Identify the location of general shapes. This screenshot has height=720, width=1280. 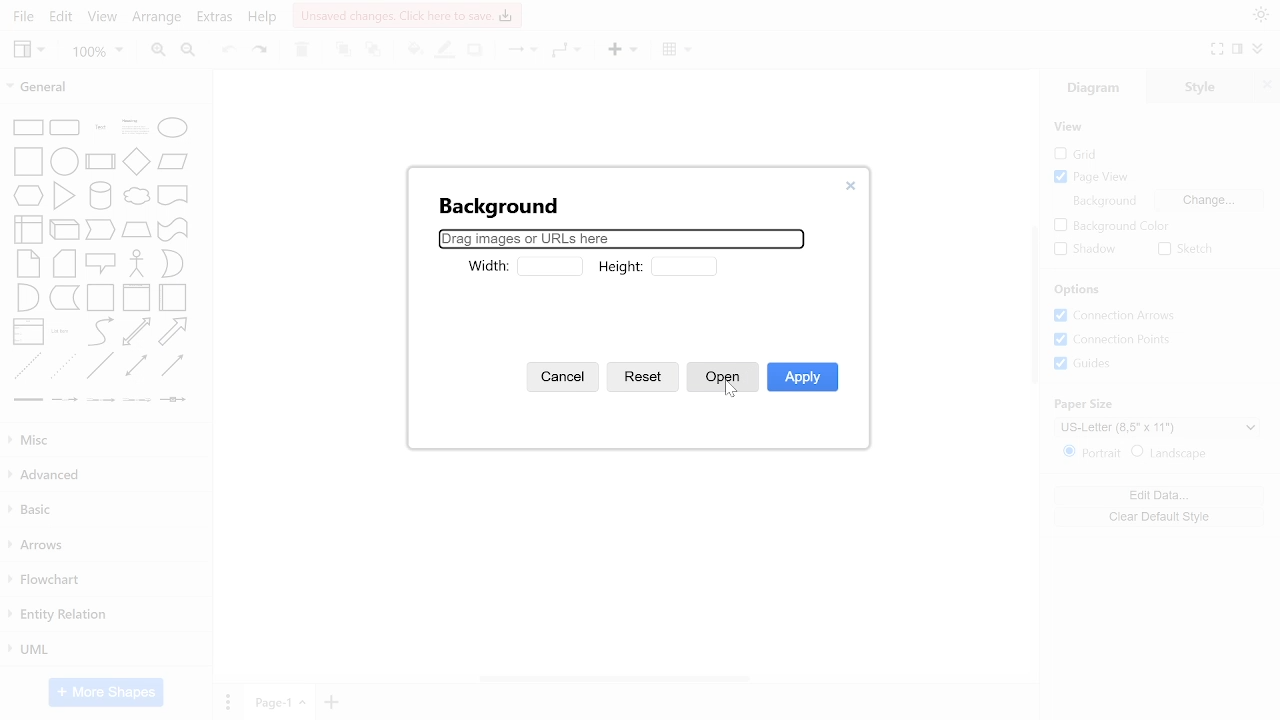
(172, 194).